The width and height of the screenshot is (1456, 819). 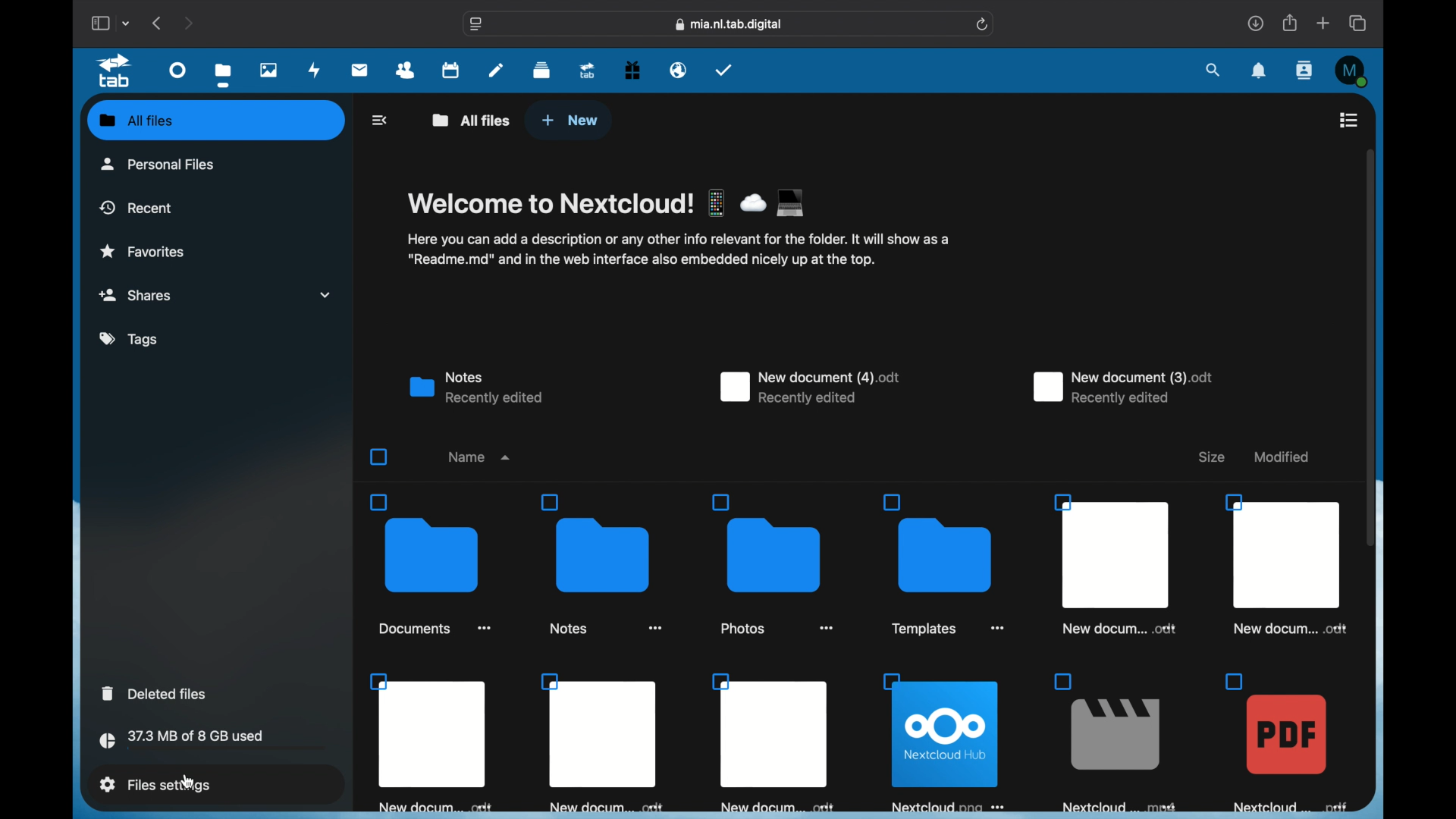 What do you see at coordinates (158, 164) in the screenshot?
I see `personal files` at bounding box center [158, 164].